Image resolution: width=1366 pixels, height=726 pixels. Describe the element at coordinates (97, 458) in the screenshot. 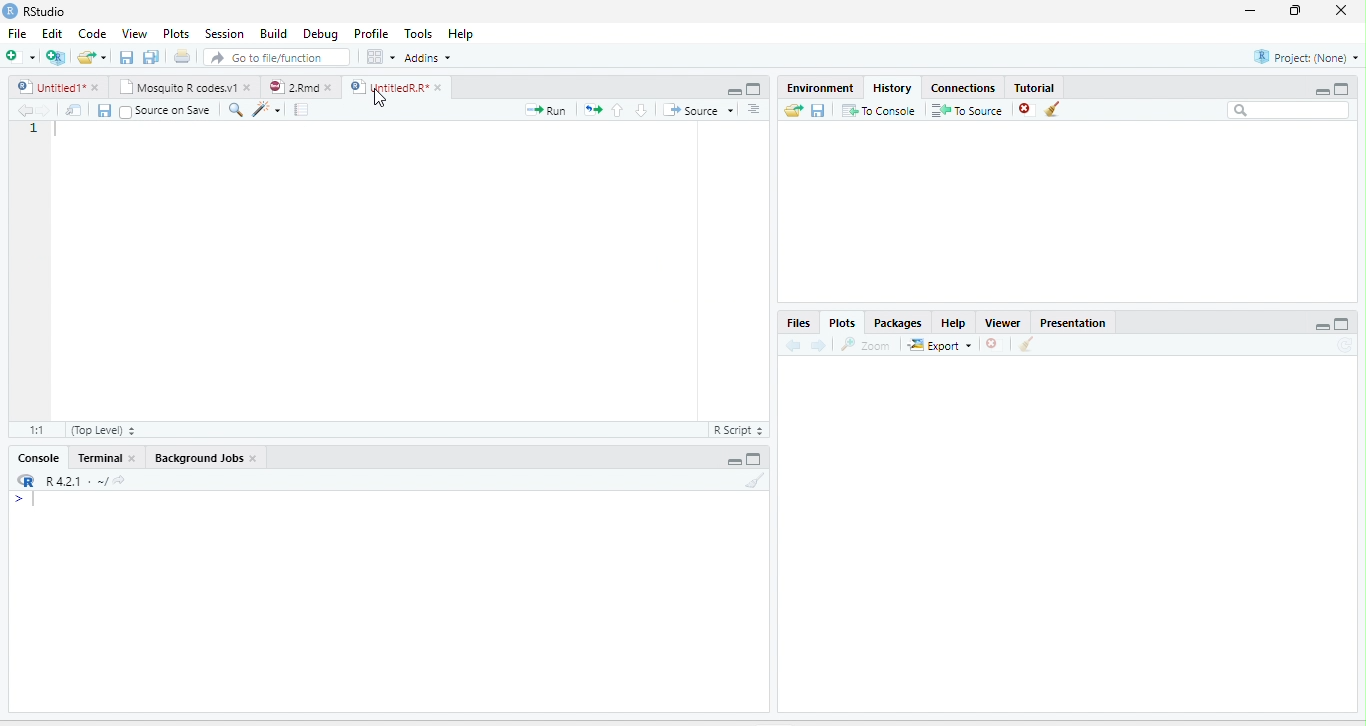

I see `Terminal` at that location.